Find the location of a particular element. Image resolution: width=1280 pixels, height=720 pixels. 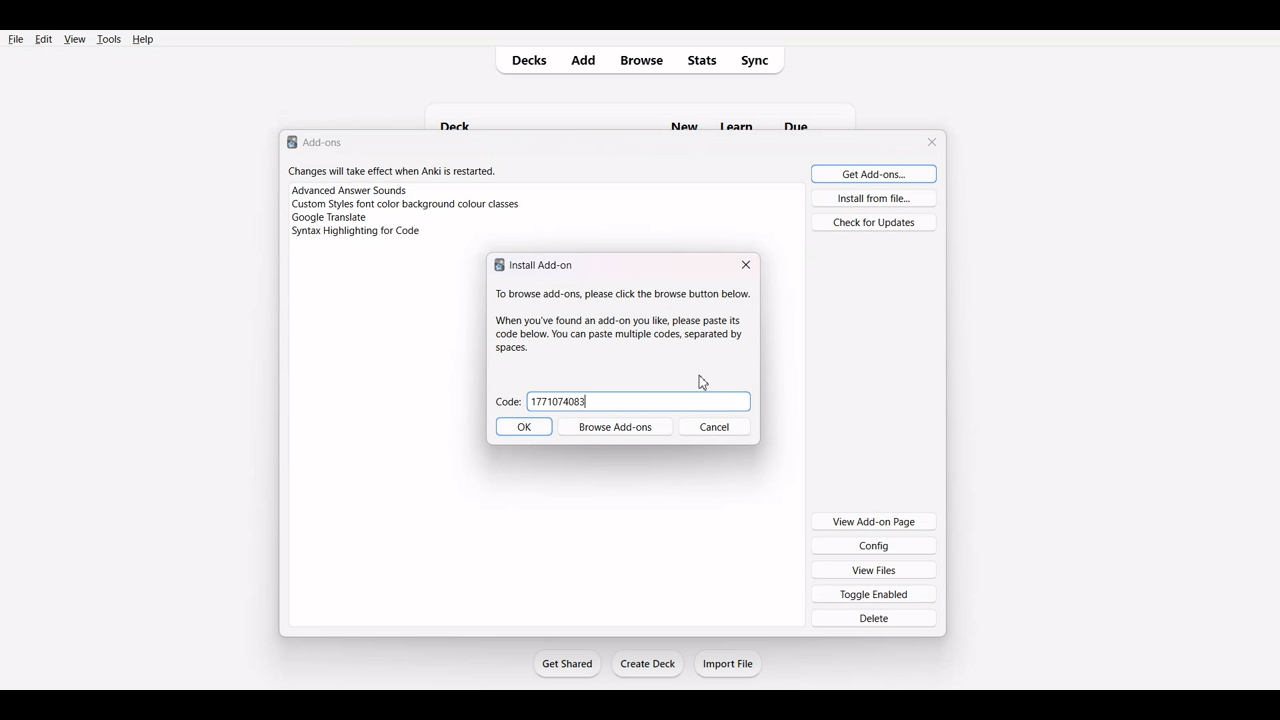

Edit is located at coordinates (43, 39).